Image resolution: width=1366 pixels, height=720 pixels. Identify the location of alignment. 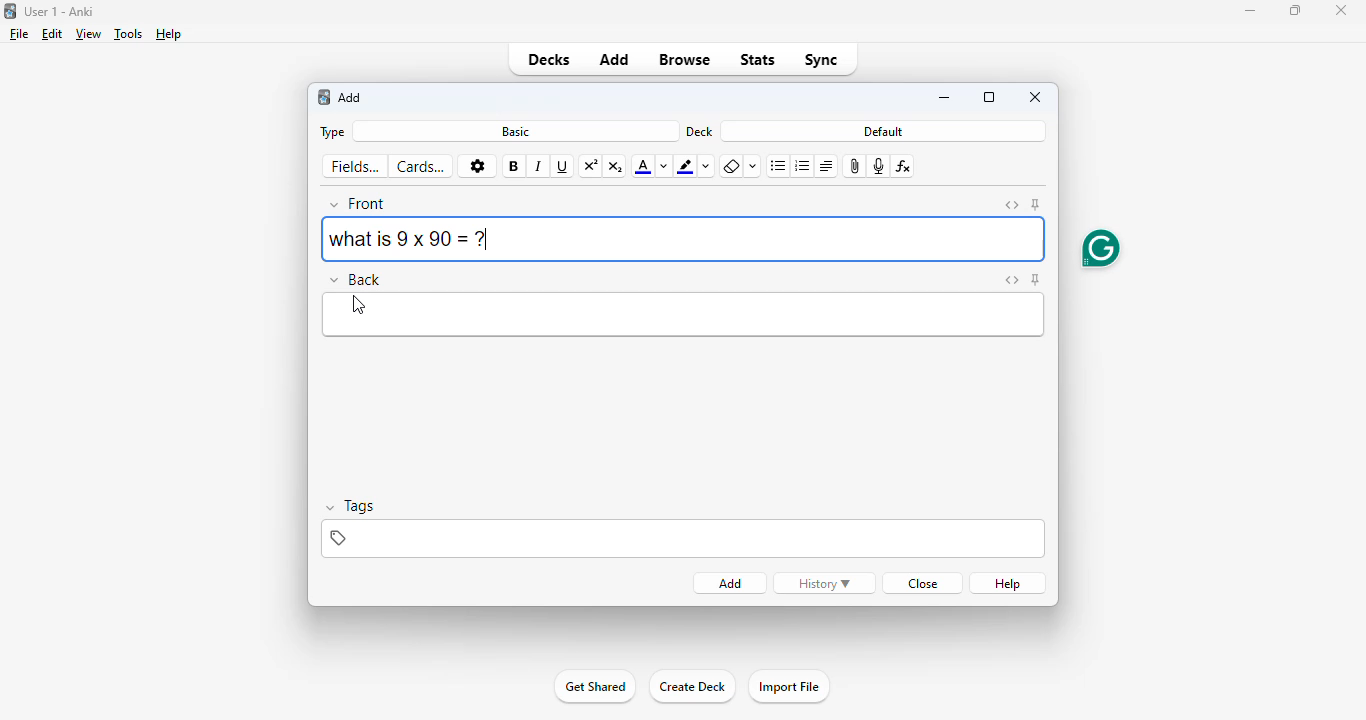
(826, 166).